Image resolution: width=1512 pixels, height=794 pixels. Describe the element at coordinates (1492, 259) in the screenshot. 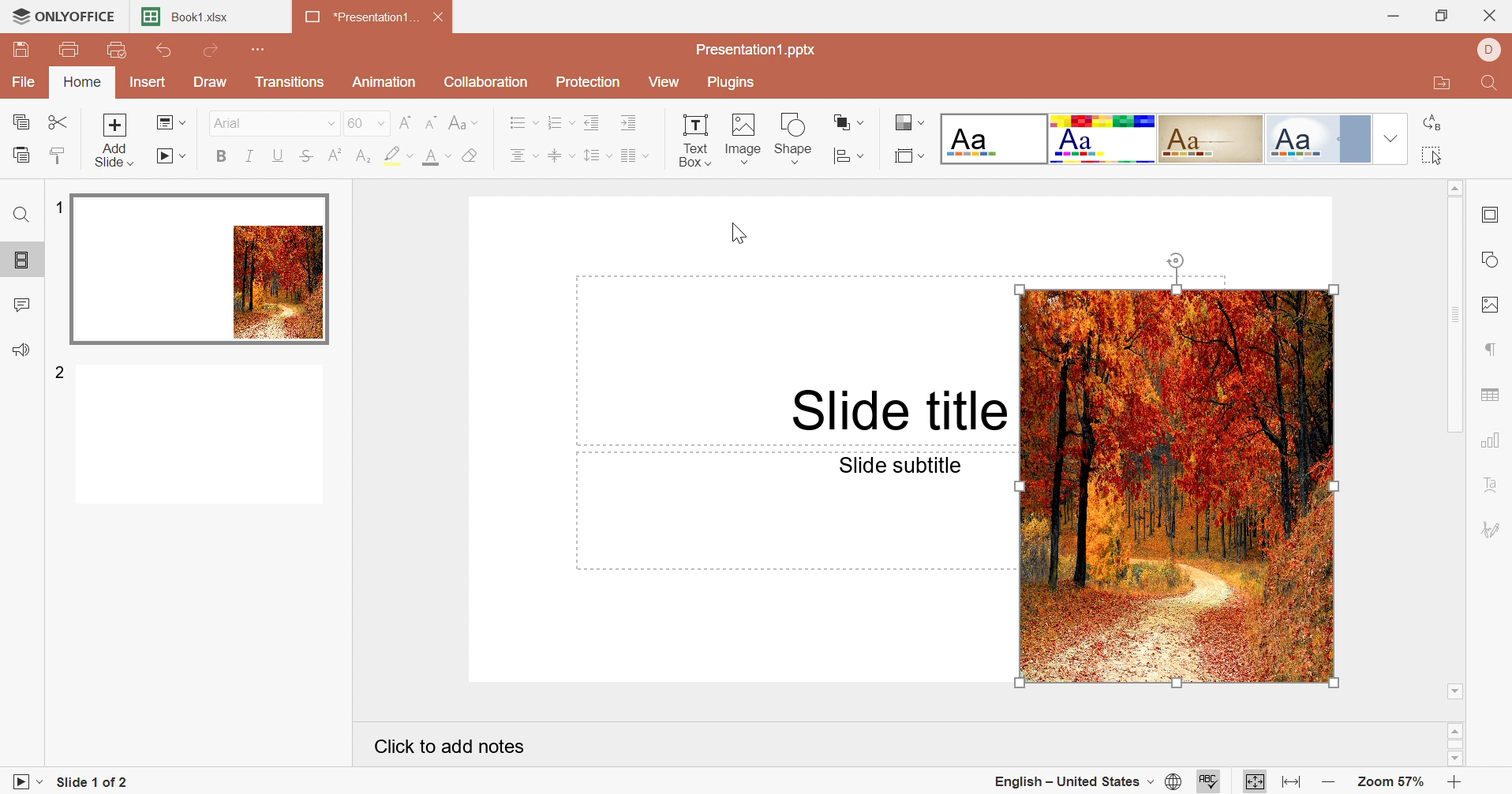

I see `Shape settings` at that location.